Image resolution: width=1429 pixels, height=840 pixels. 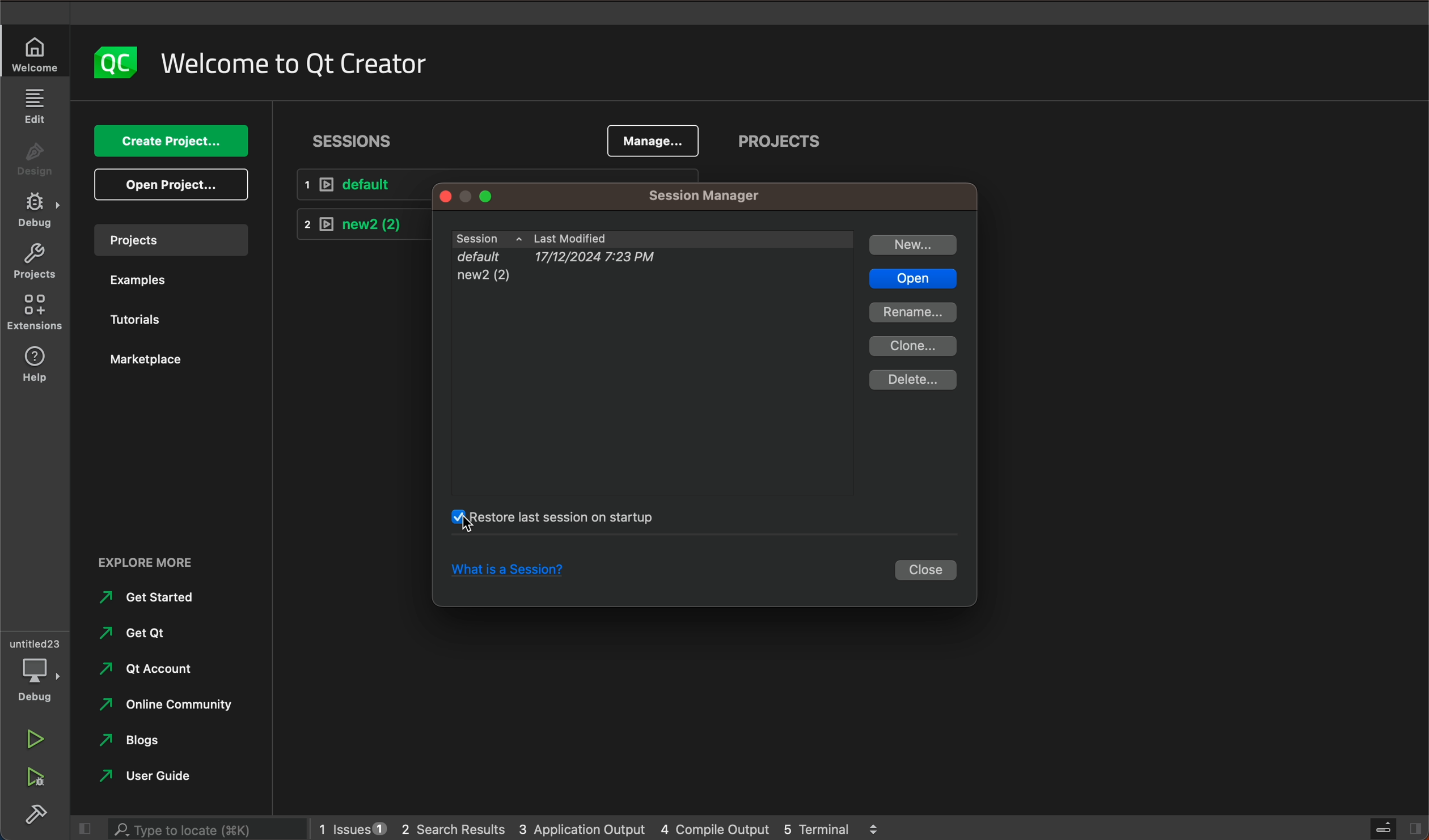 What do you see at coordinates (147, 775) in the screenshot?
I see `user guide` at bounding box center [147, 775].